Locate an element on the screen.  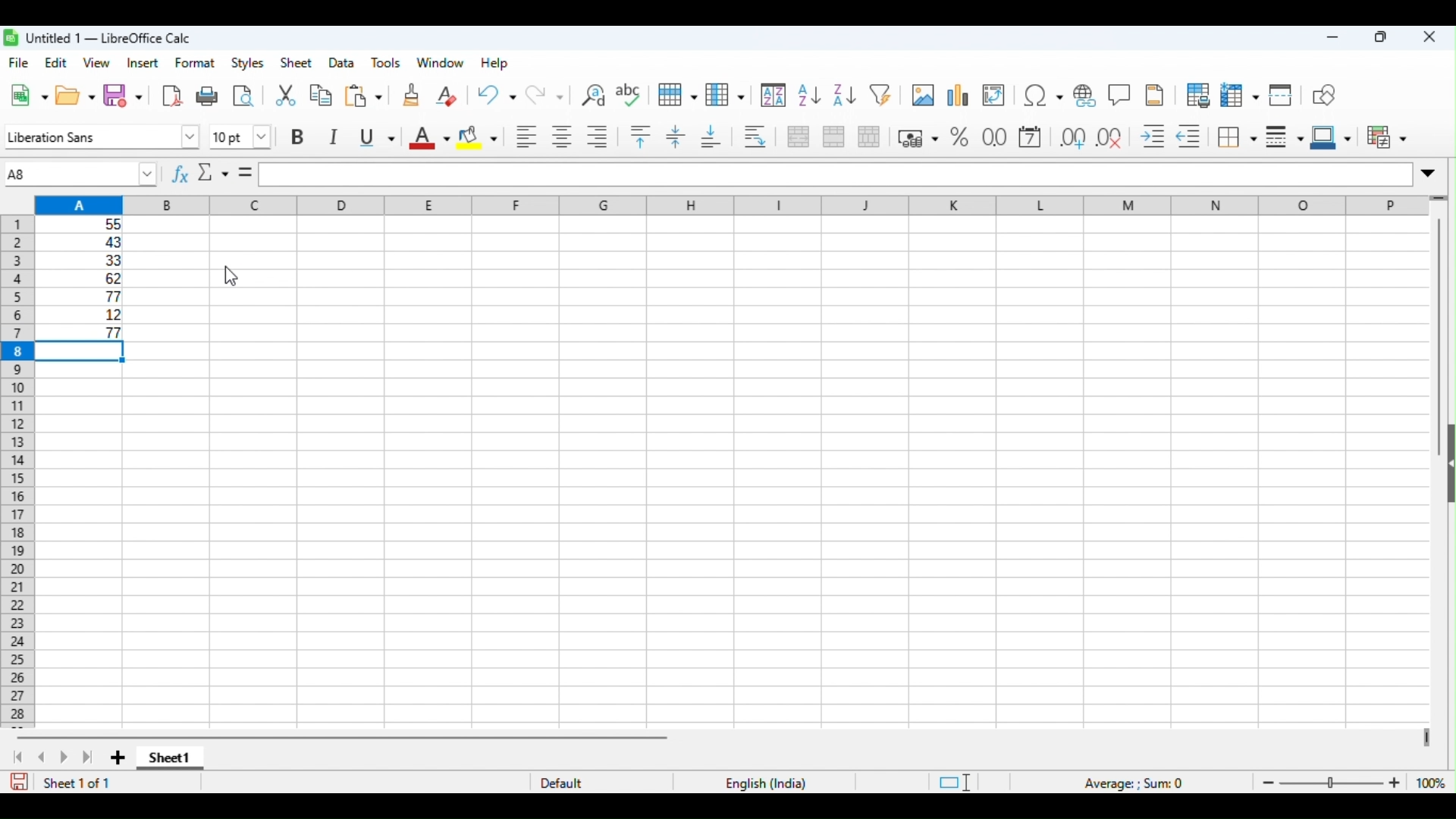
format as number is located at coordinates (995, 138).